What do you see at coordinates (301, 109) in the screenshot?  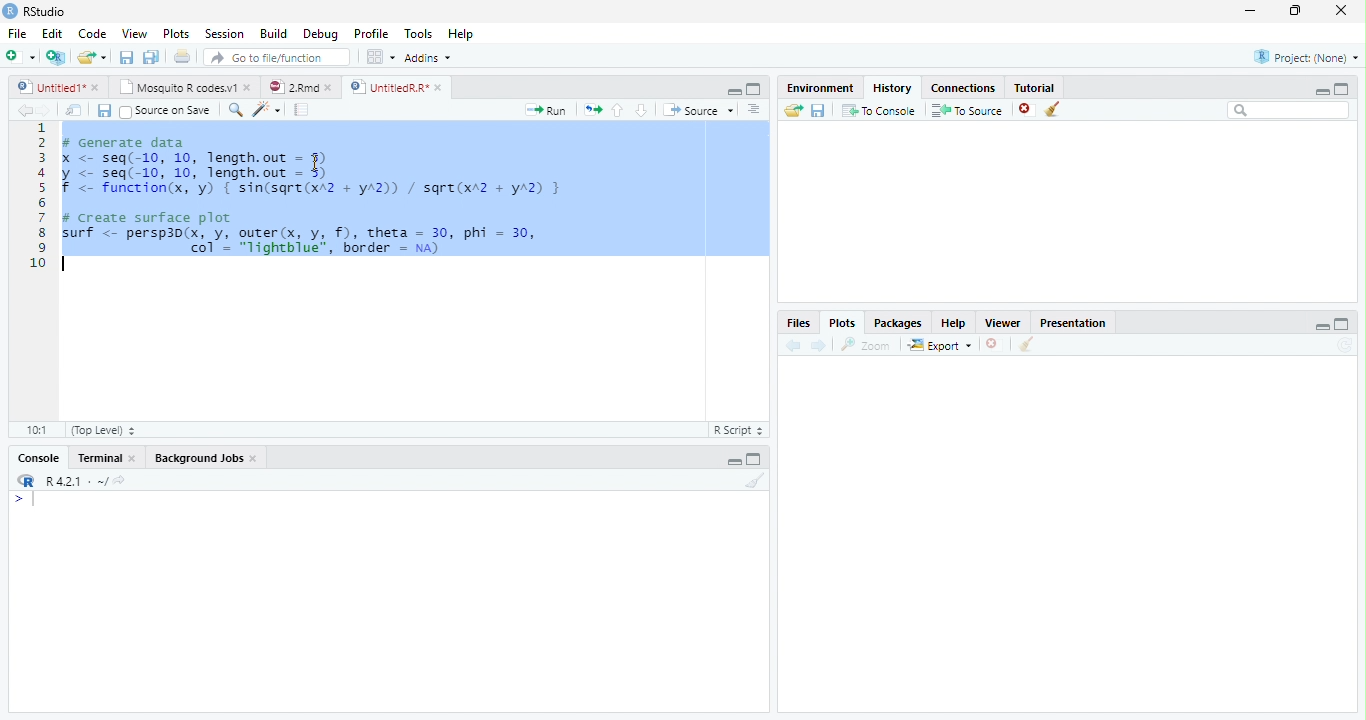 I see `Compile Report` at bounding box center [301, 109].